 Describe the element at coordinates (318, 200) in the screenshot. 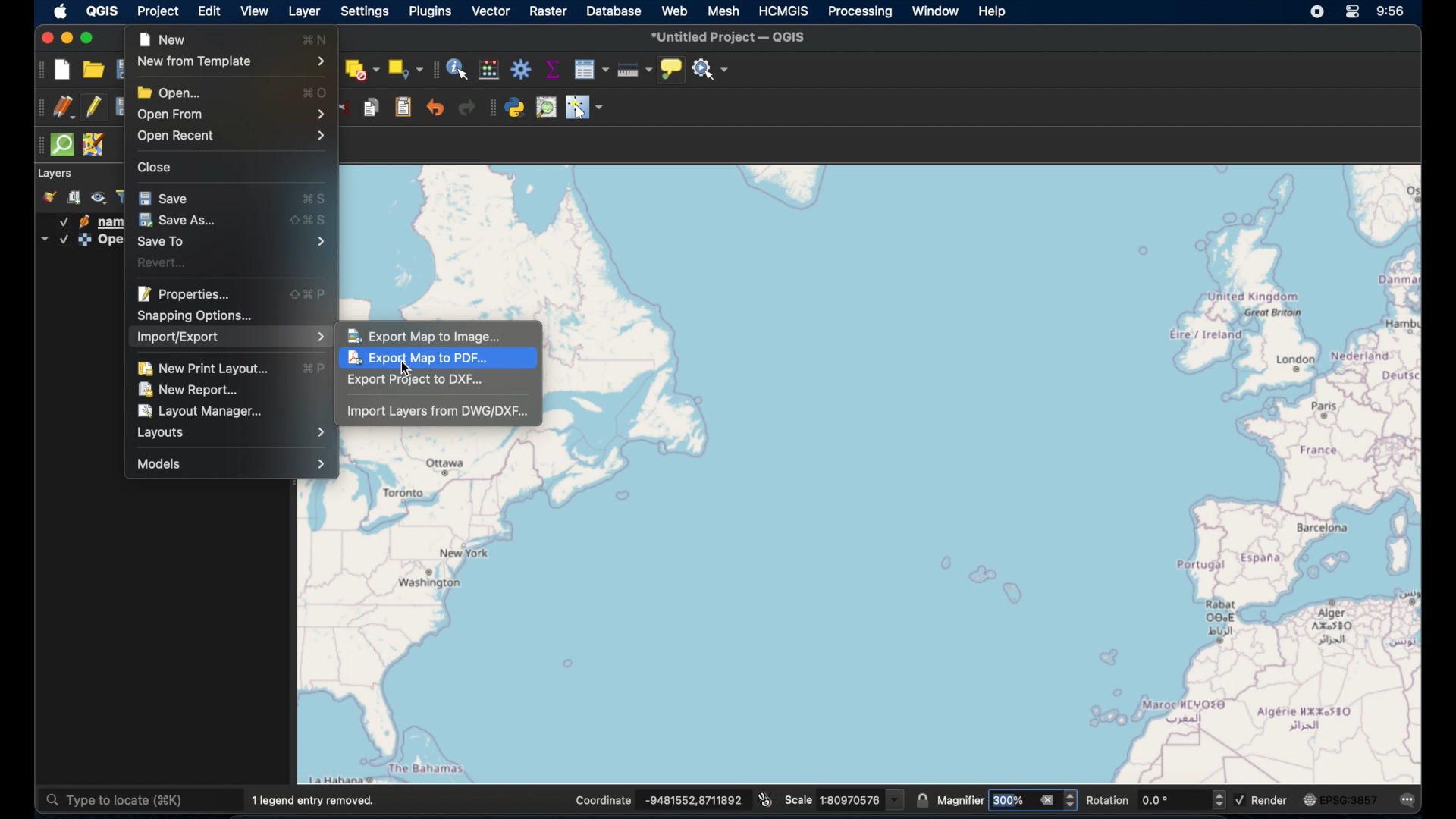

I see `save shortcut` at that location.